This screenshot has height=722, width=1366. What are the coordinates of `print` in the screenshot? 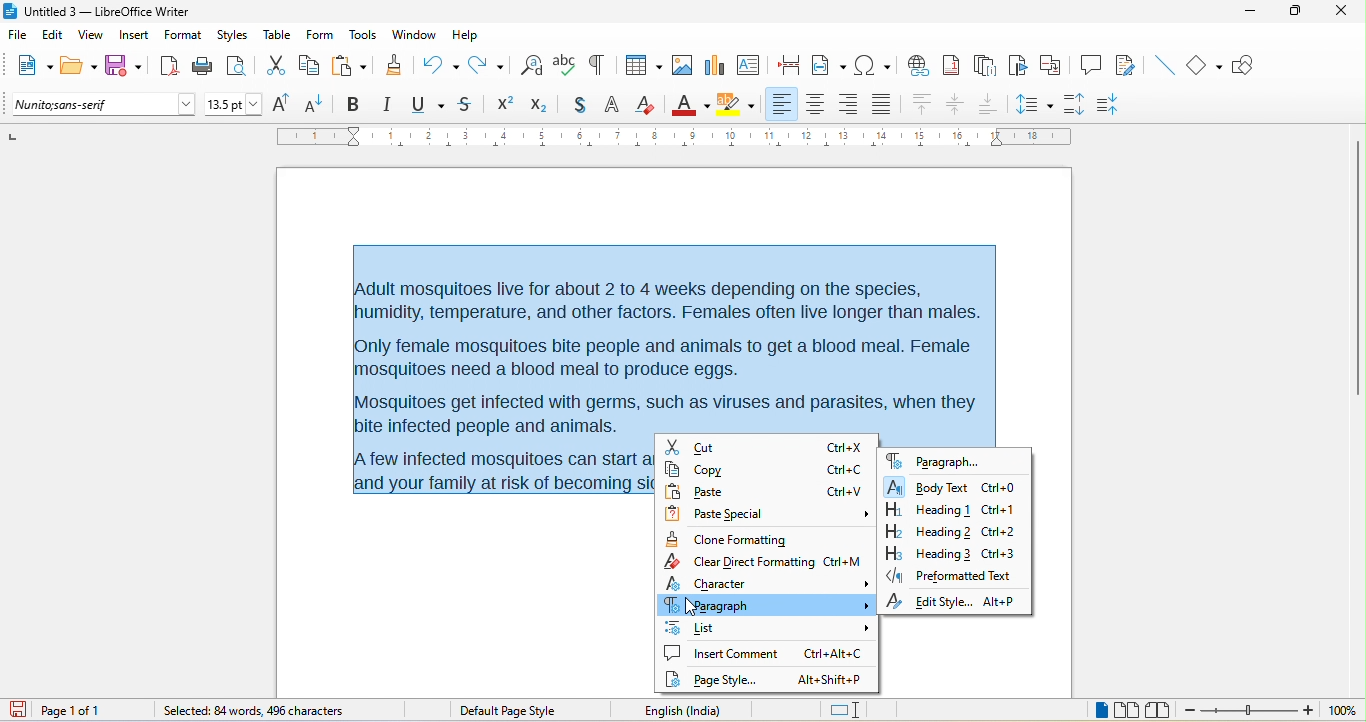 It's located at (203, 67).